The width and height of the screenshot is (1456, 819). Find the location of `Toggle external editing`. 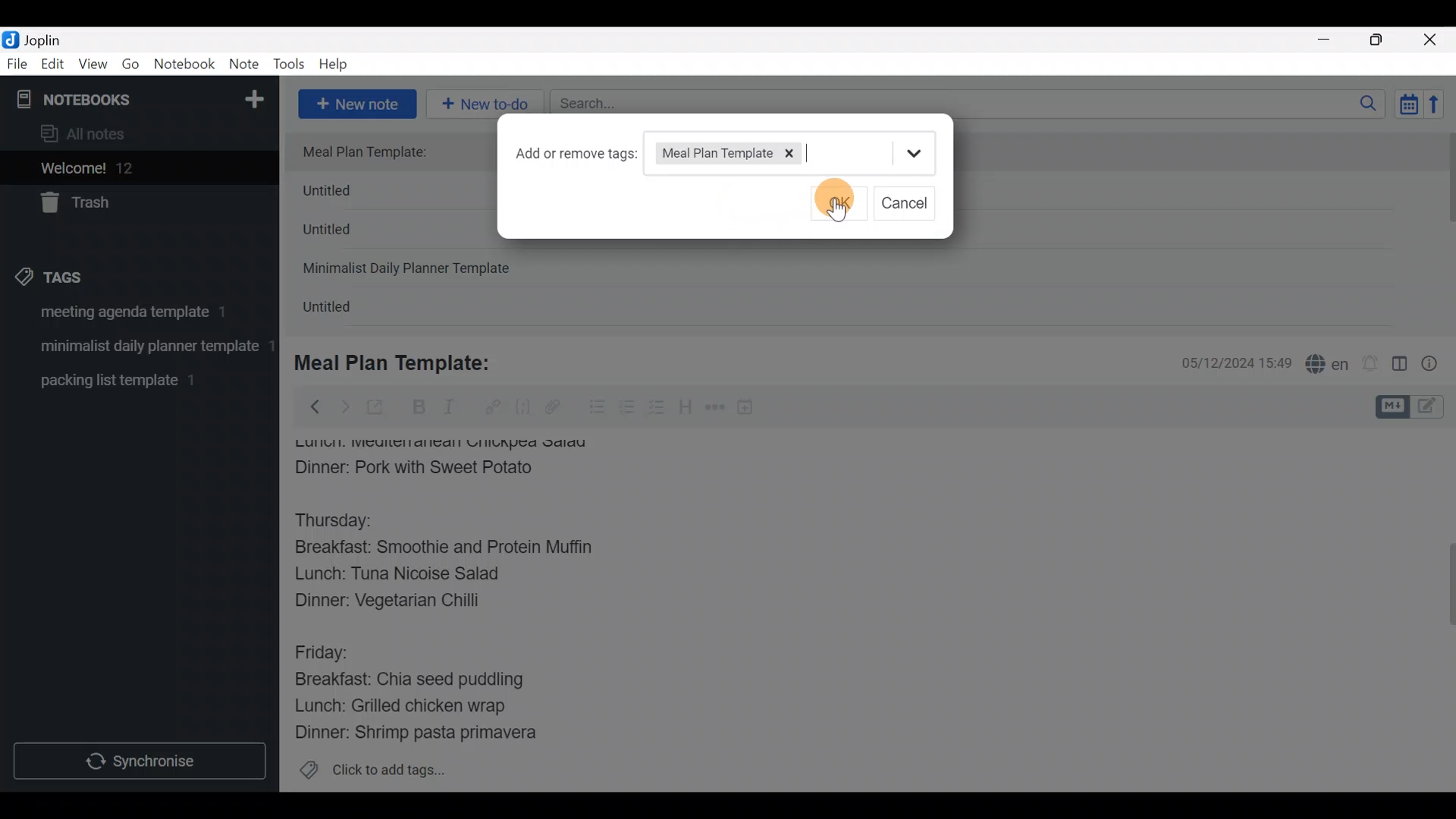

Toggle external editing is located at coordinates (381, 408).